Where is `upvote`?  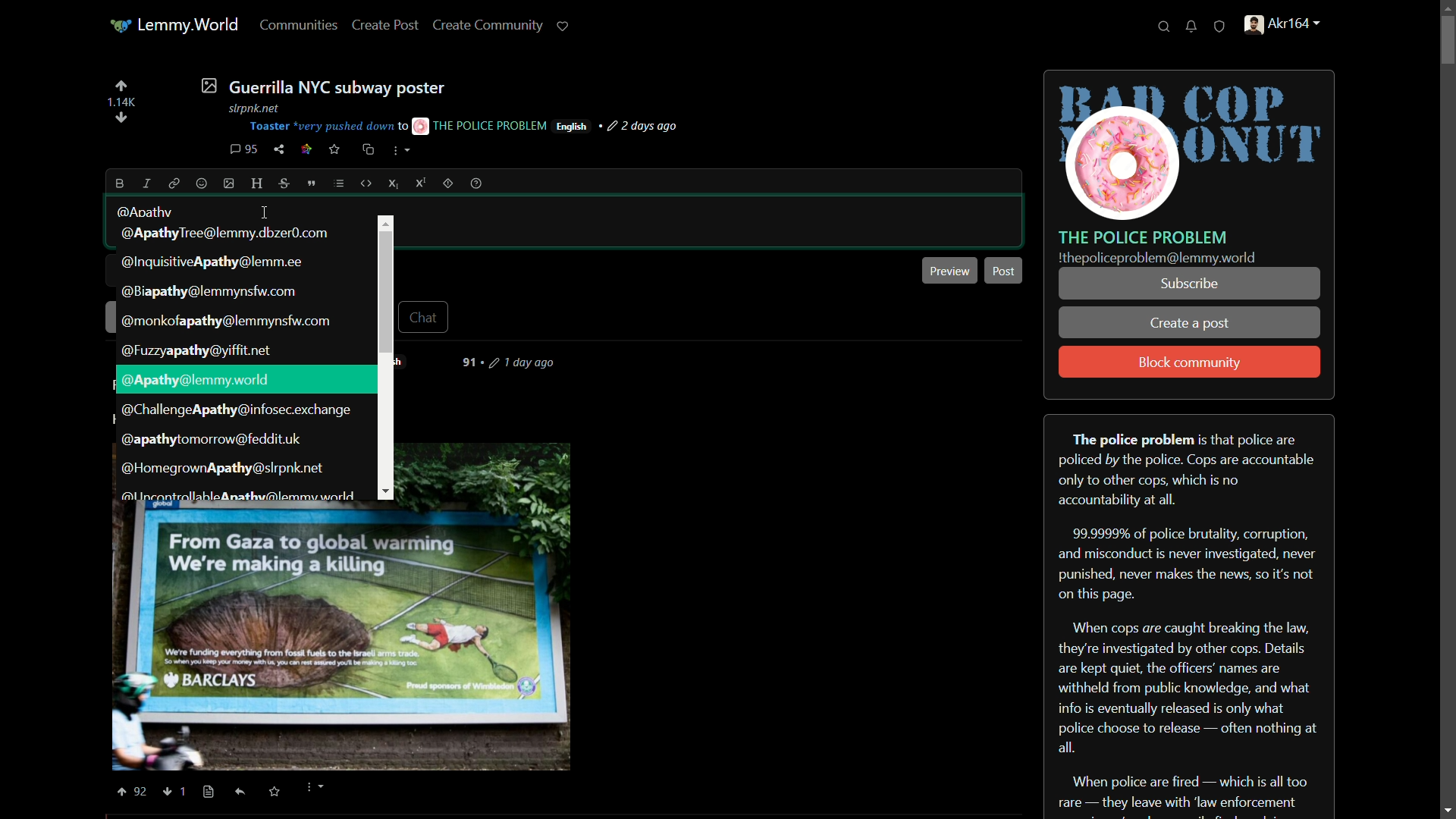 upvote is located at coordinates (121, 86).